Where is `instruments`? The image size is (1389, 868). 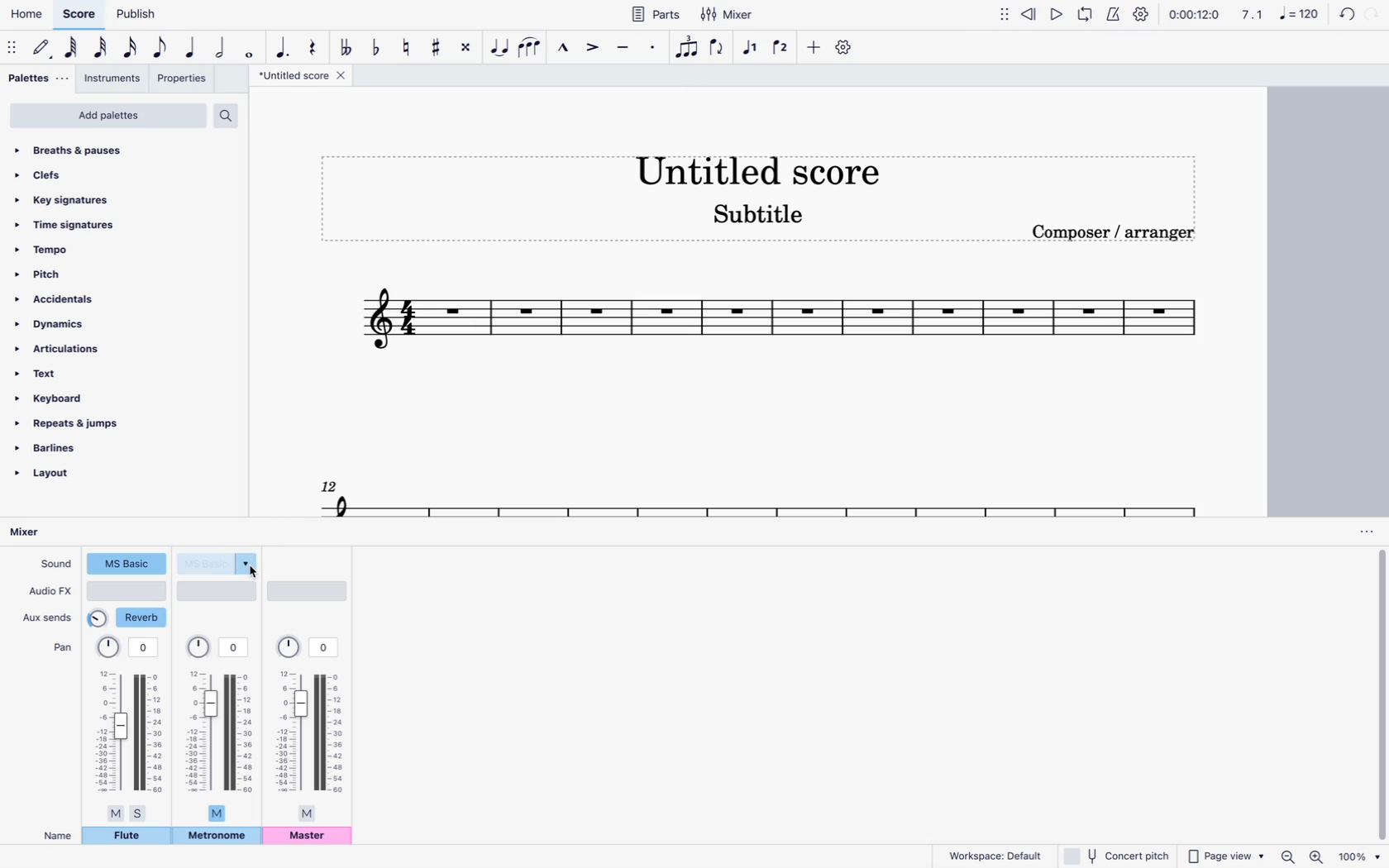
instruments is located at coordinates (114, 80).